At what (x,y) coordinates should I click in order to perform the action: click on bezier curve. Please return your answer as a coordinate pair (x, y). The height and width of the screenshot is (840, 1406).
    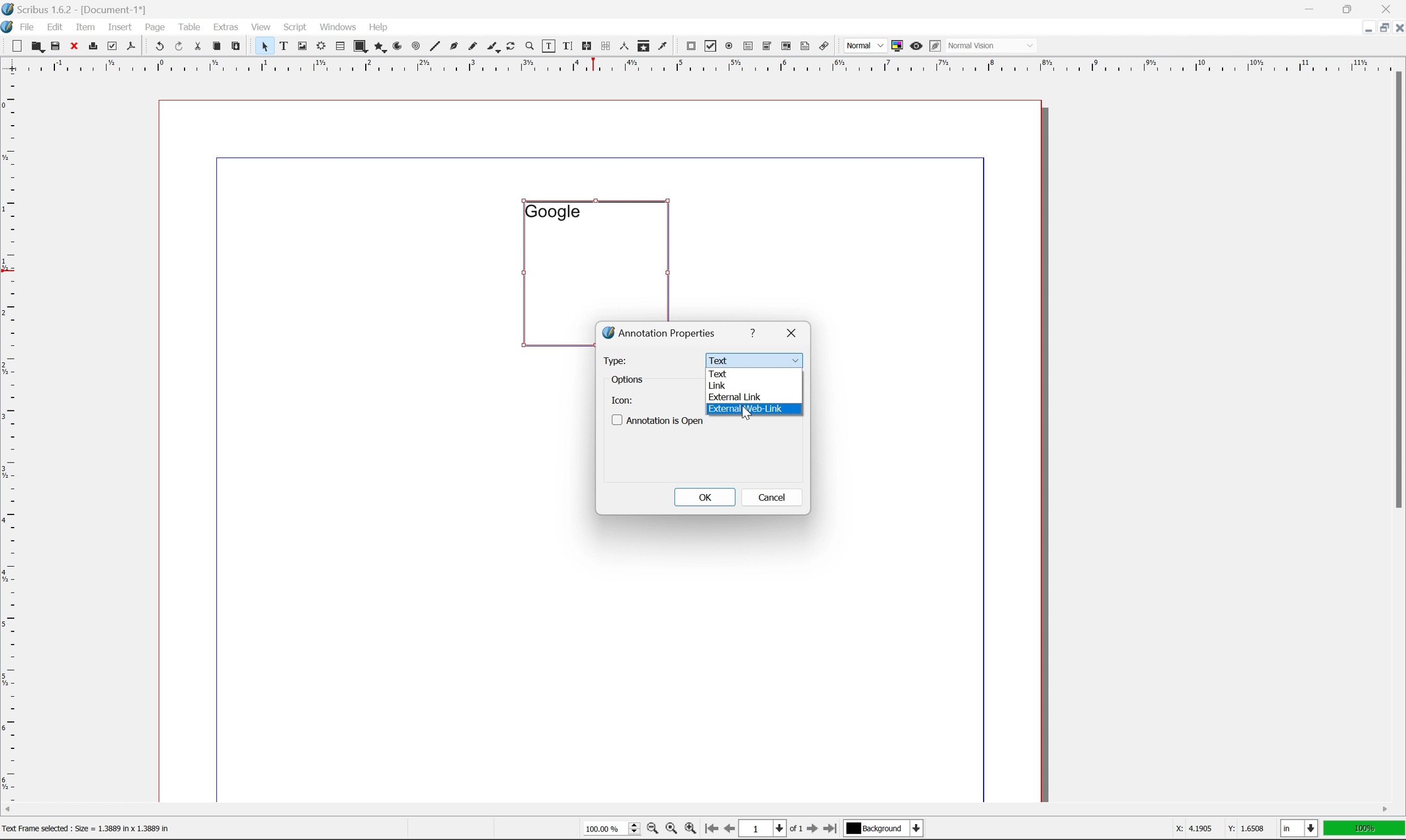
    Looking at the image, I should click on (454, 46).